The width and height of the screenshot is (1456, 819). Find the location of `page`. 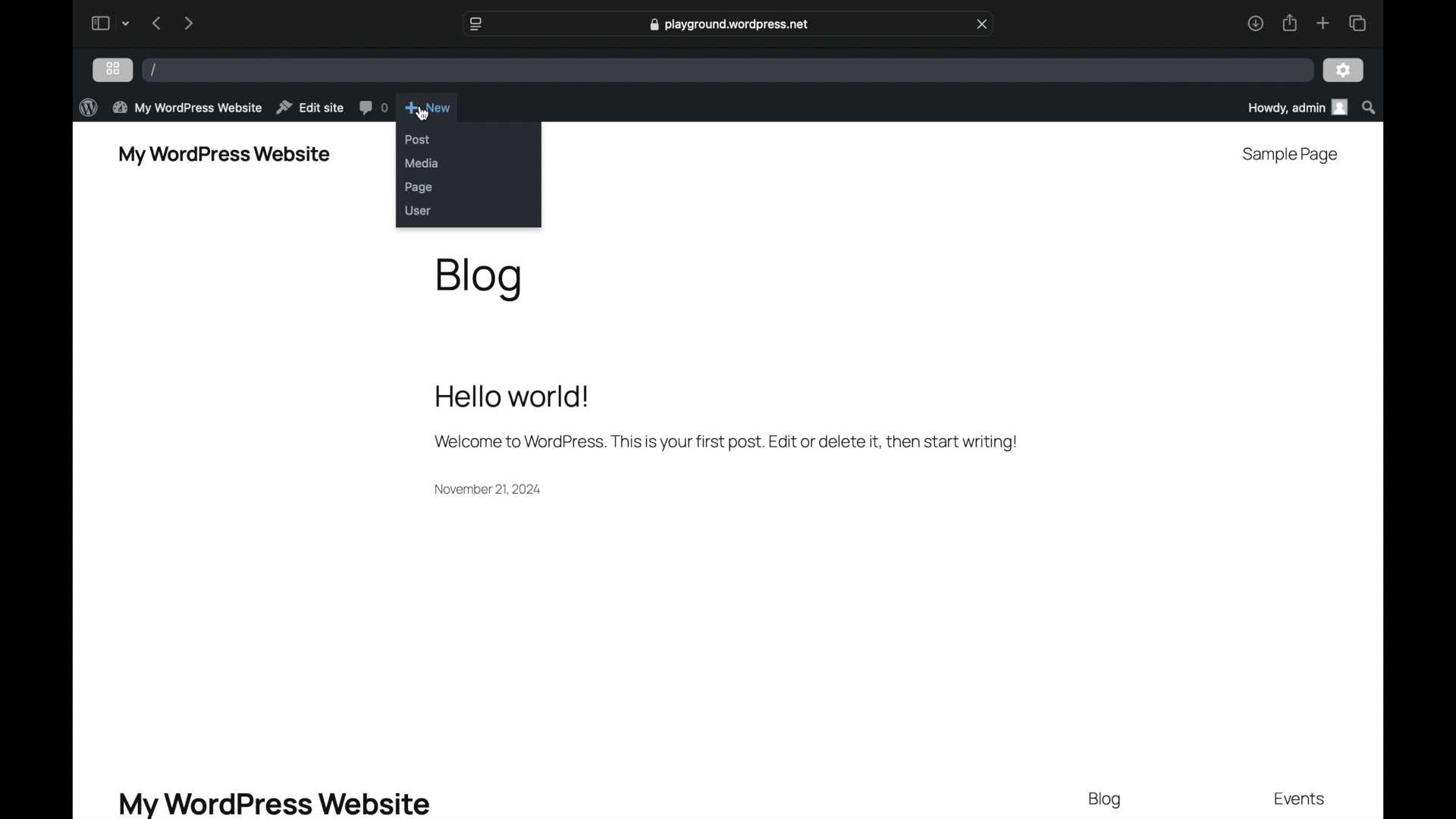

page is located at coordinates (419, 187).